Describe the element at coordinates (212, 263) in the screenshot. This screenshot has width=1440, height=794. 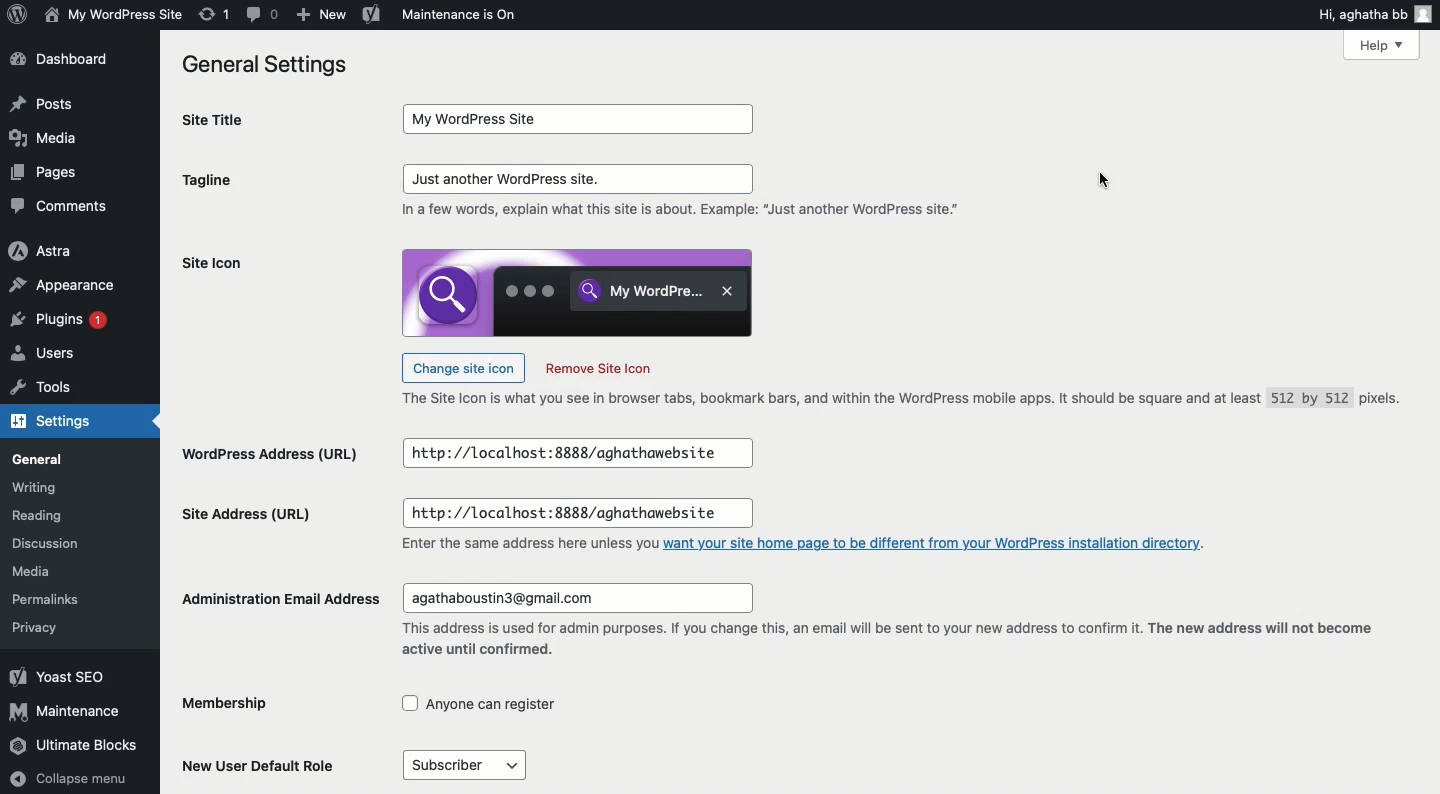
I see `Site icon` at that location.